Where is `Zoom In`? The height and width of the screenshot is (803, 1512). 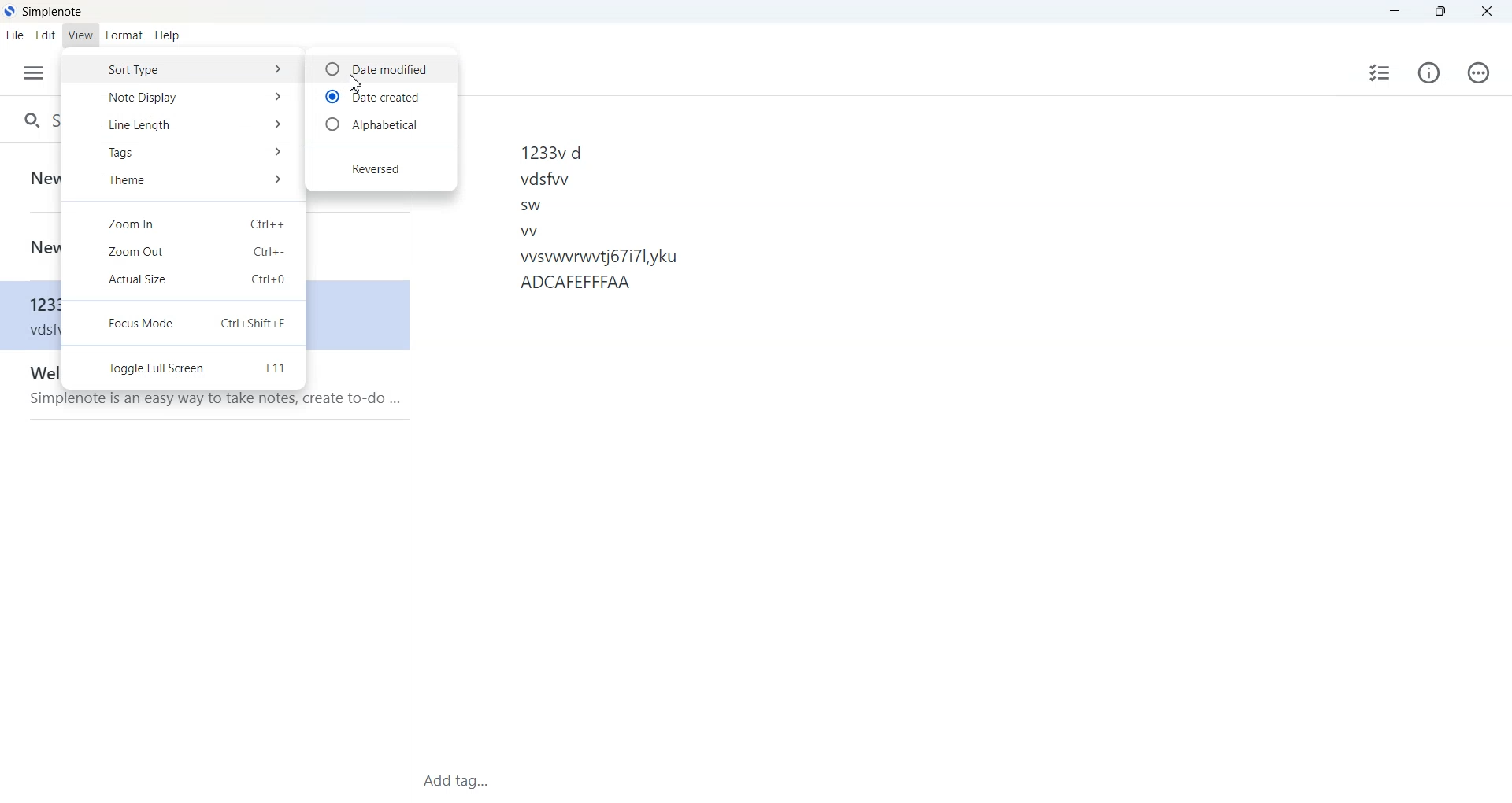 Zoom In is located at coordinates (183, 224).